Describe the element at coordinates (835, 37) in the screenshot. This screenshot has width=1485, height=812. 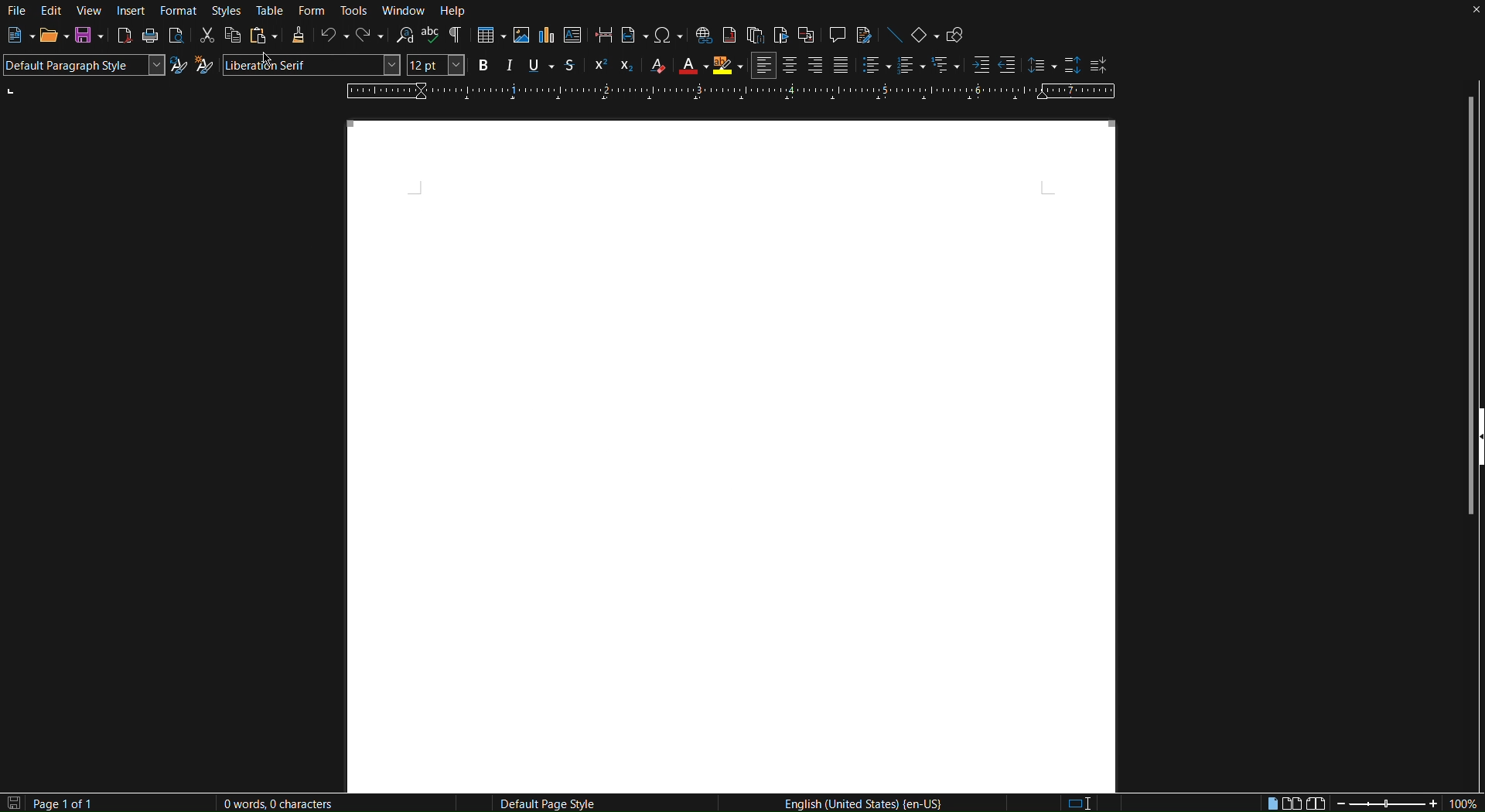
I see `Insert Comment` at that location.